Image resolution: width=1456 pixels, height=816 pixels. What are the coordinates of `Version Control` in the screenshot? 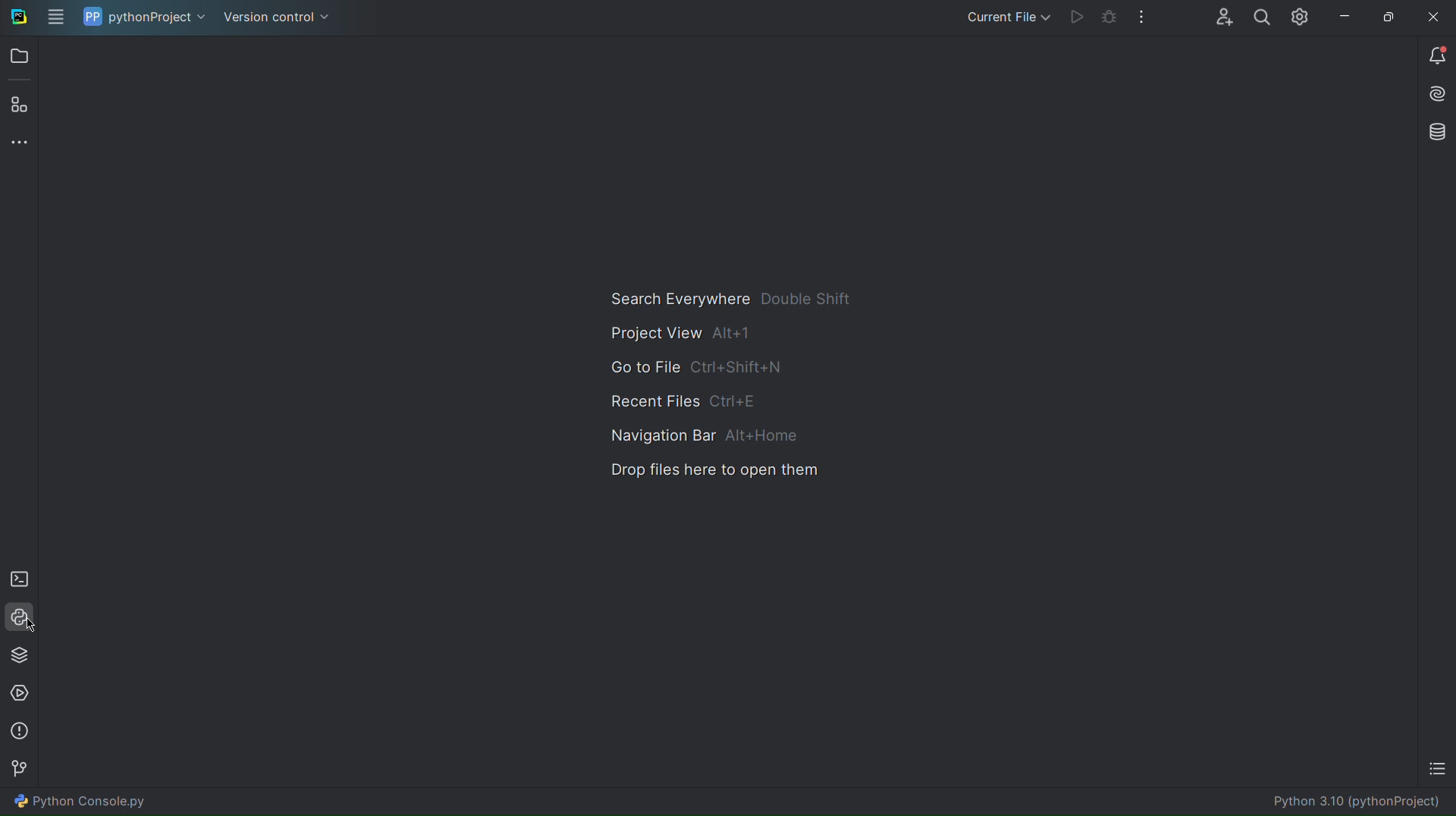 It's located at (273, 17).